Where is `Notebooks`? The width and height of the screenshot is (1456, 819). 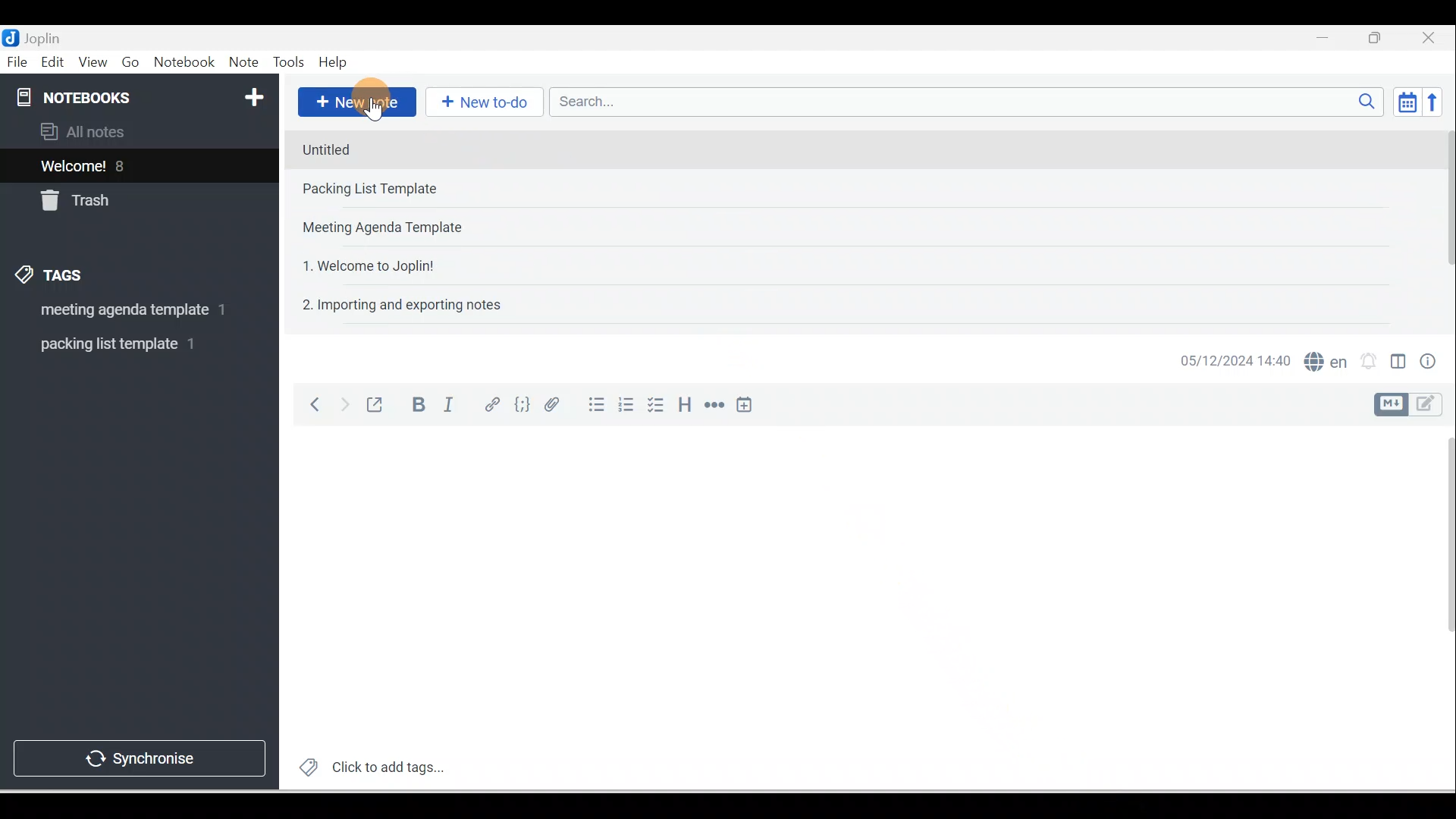
Notebooks is located at coordinates (143, 94).